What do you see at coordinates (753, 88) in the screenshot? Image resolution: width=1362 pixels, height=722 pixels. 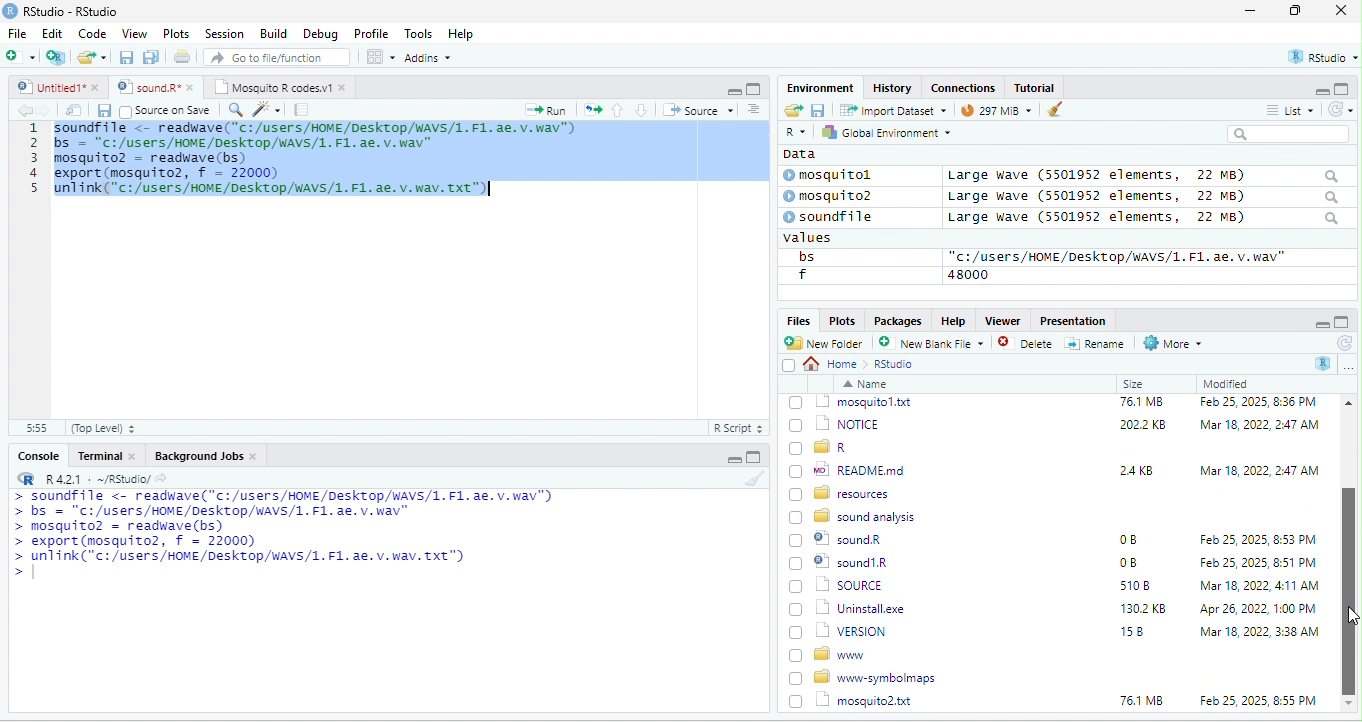 I see `maximize` at bounding box center [753, 88].